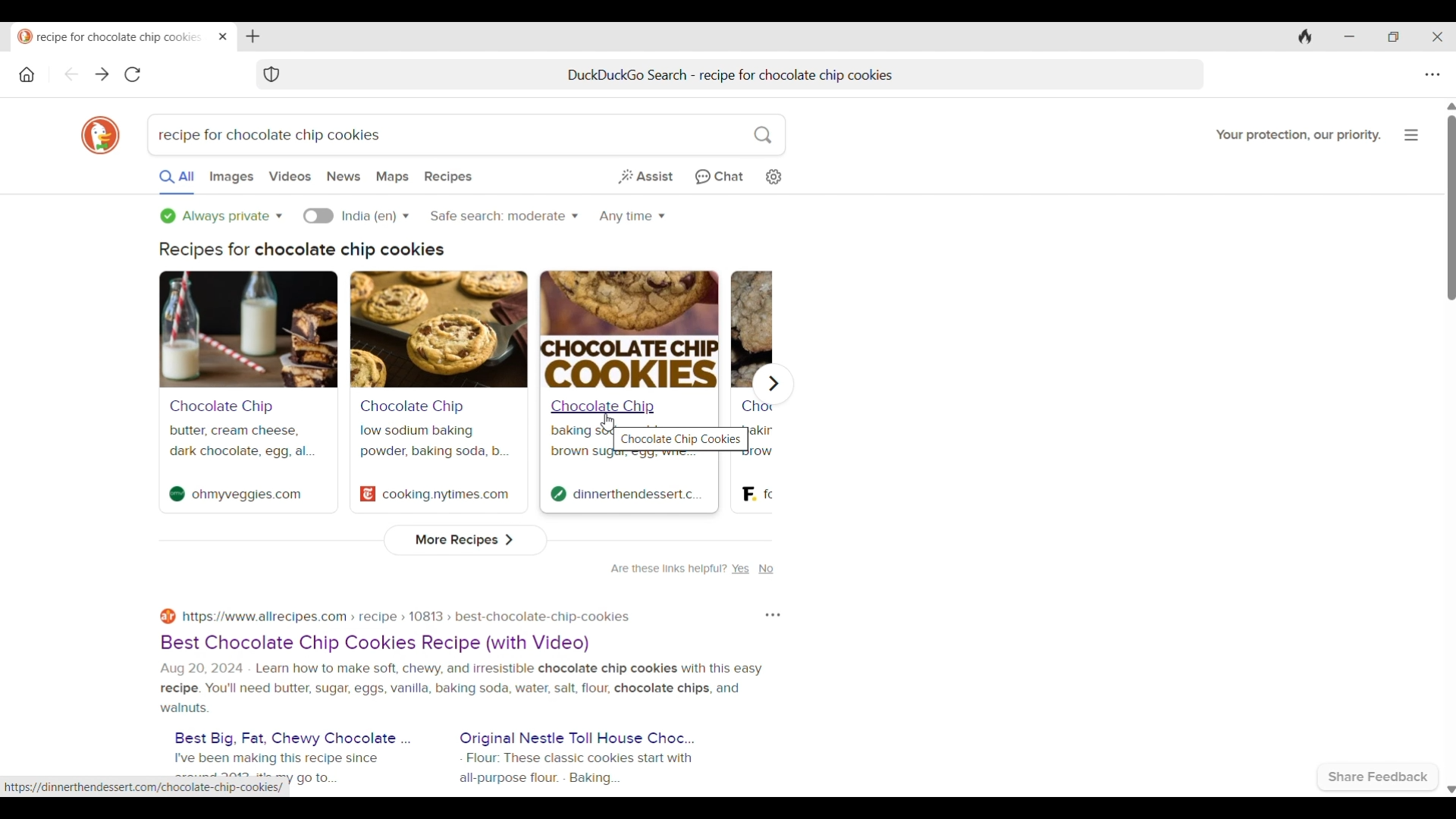 The width and height of the screenshot is (1456, 819). I want to click on Share feedback with browser, so click(1380, 777).